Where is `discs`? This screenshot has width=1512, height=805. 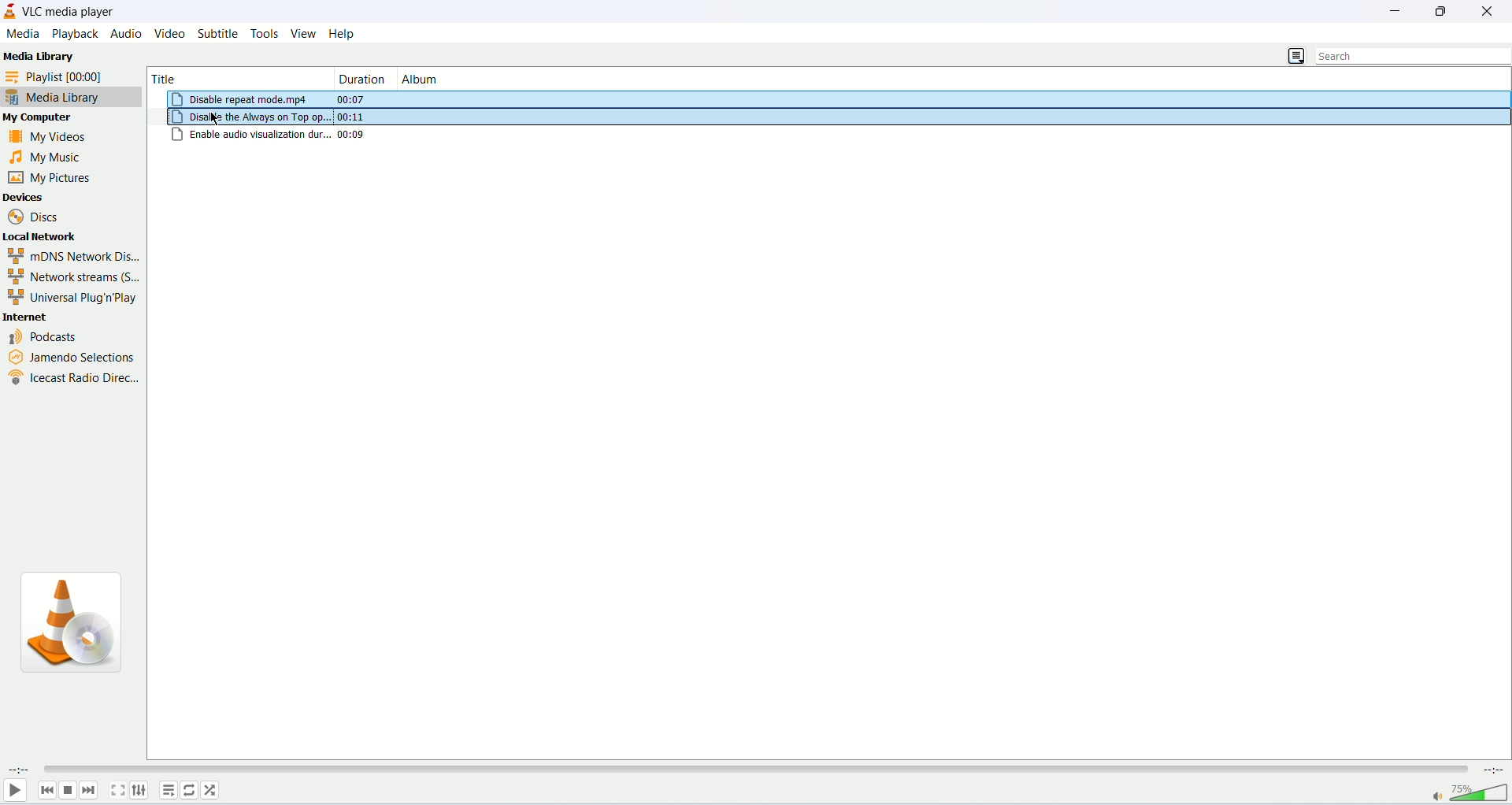
discs is located at coordinates (36, 215).